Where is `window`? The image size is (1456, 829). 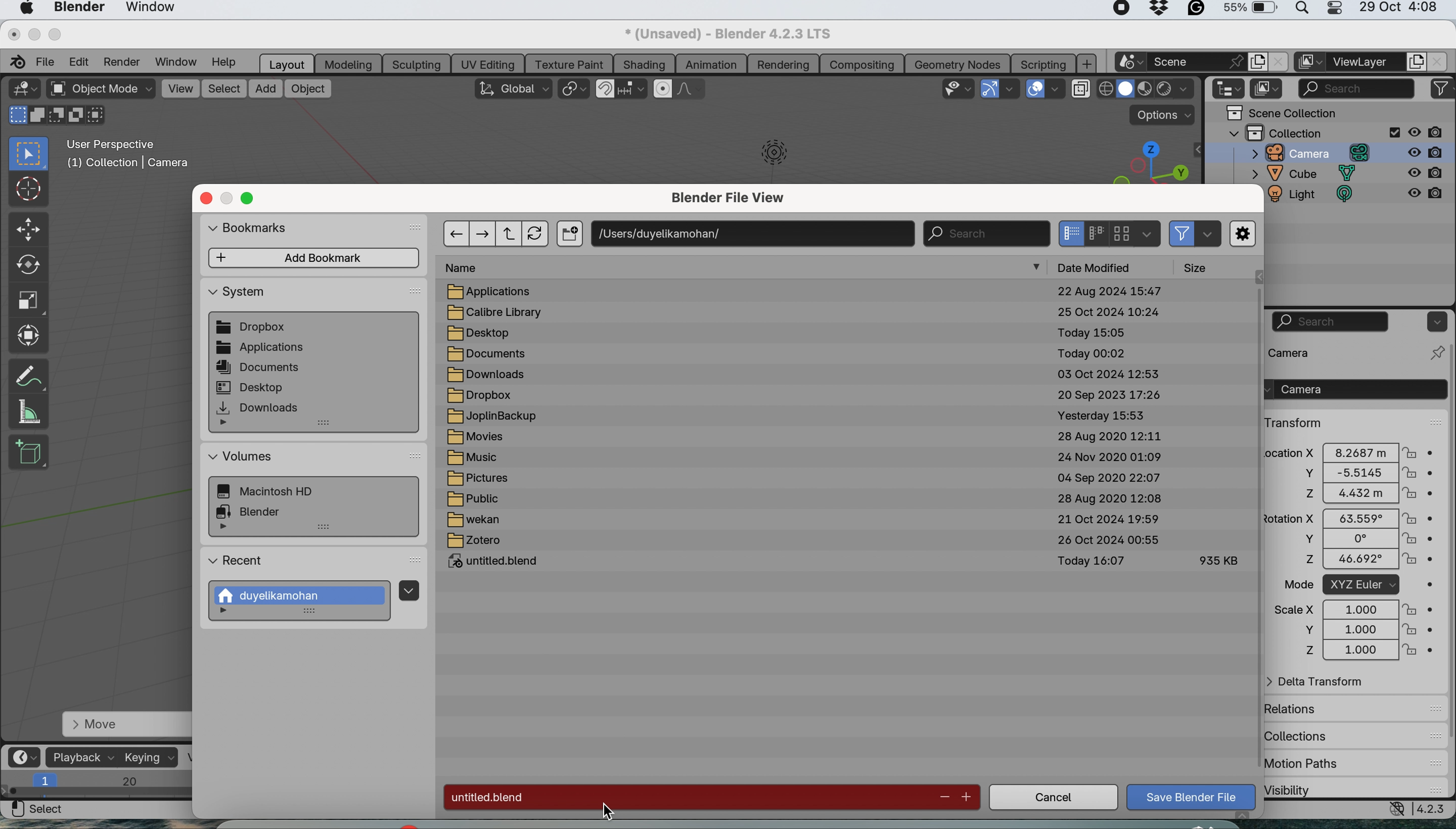
window is located at coordinates (151, 9).